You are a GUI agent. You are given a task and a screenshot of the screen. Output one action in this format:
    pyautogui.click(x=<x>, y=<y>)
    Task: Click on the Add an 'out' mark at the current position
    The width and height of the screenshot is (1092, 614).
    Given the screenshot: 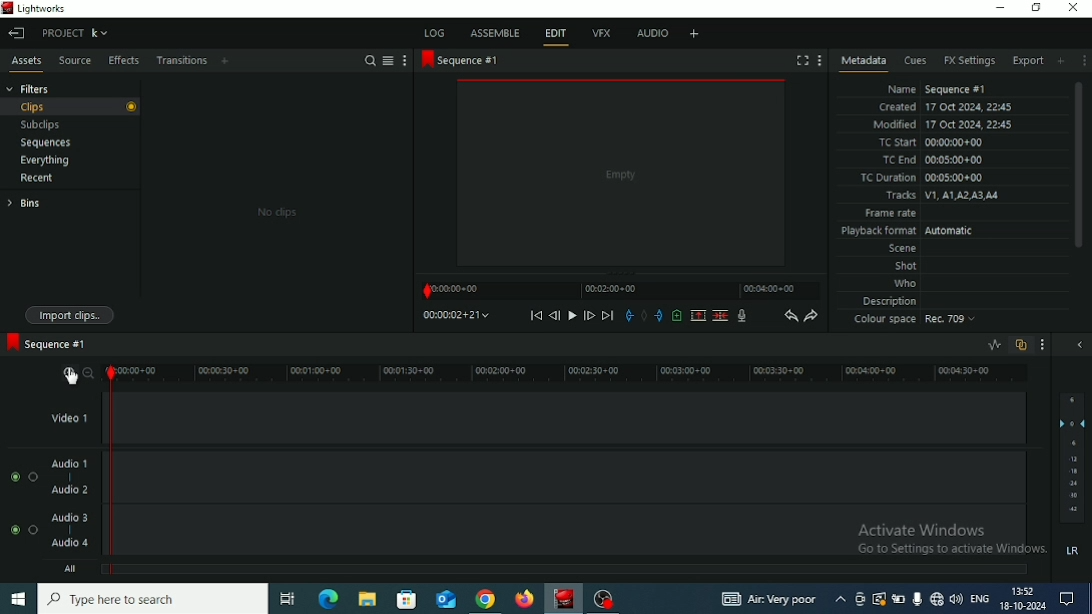 What is the action you would take?
    pyautogui.click(x=658, y=315)
    